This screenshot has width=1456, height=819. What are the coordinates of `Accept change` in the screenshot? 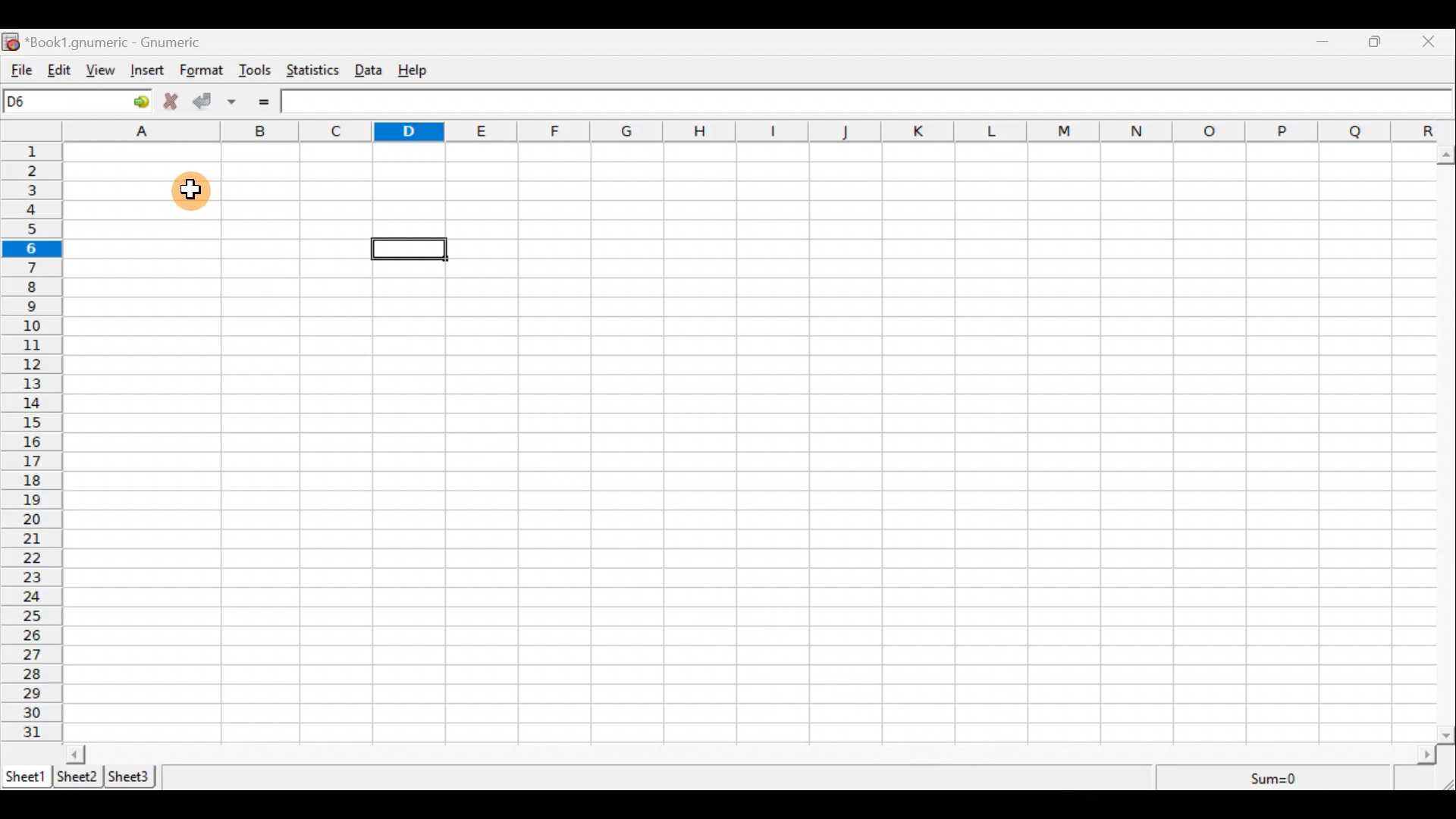 It's located at (206, 102).